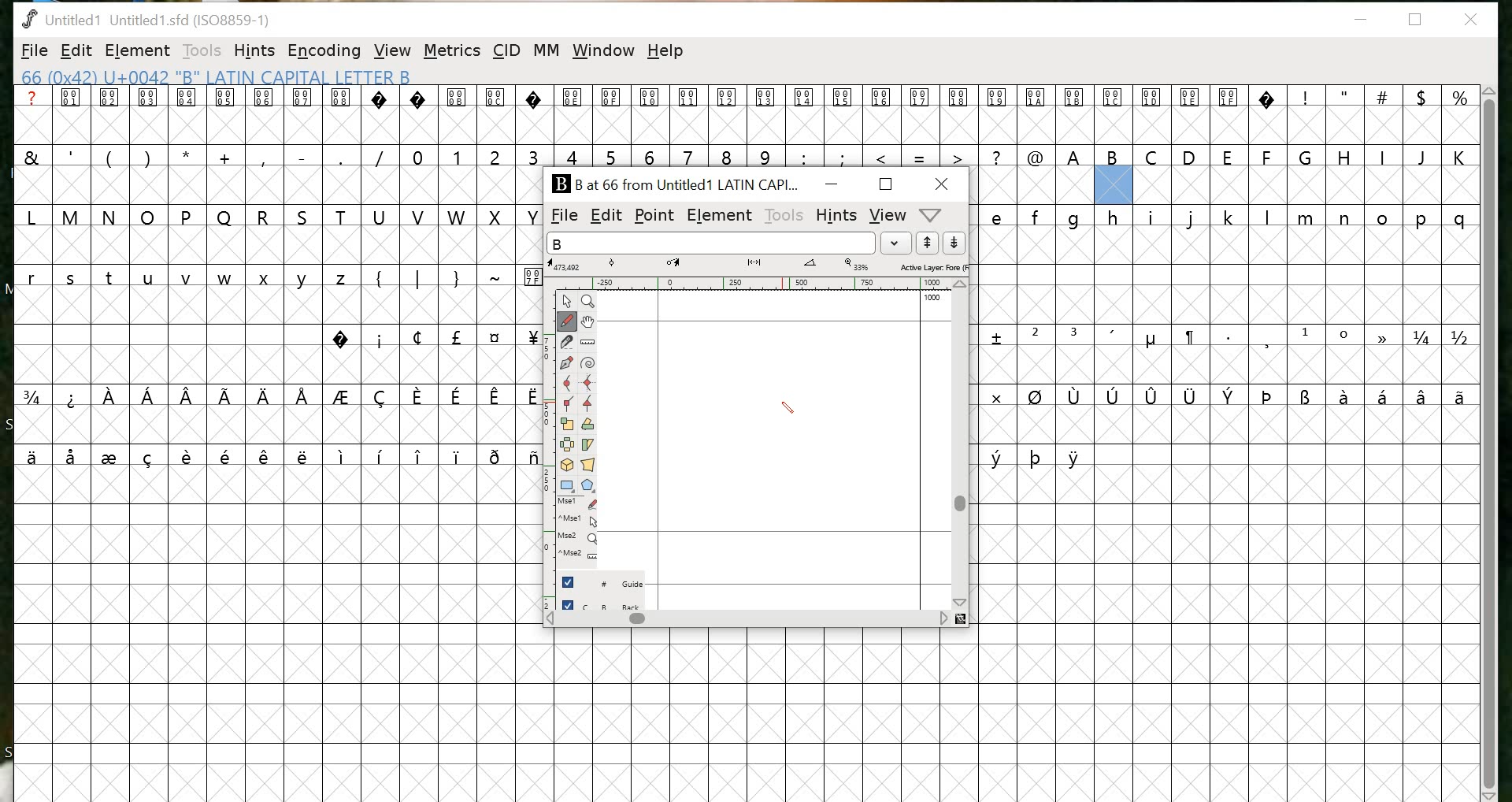 The image size is (1512, 802). Describe the element at coordinates (603, 579) in the screenshot. I see `guide layer` at that location.